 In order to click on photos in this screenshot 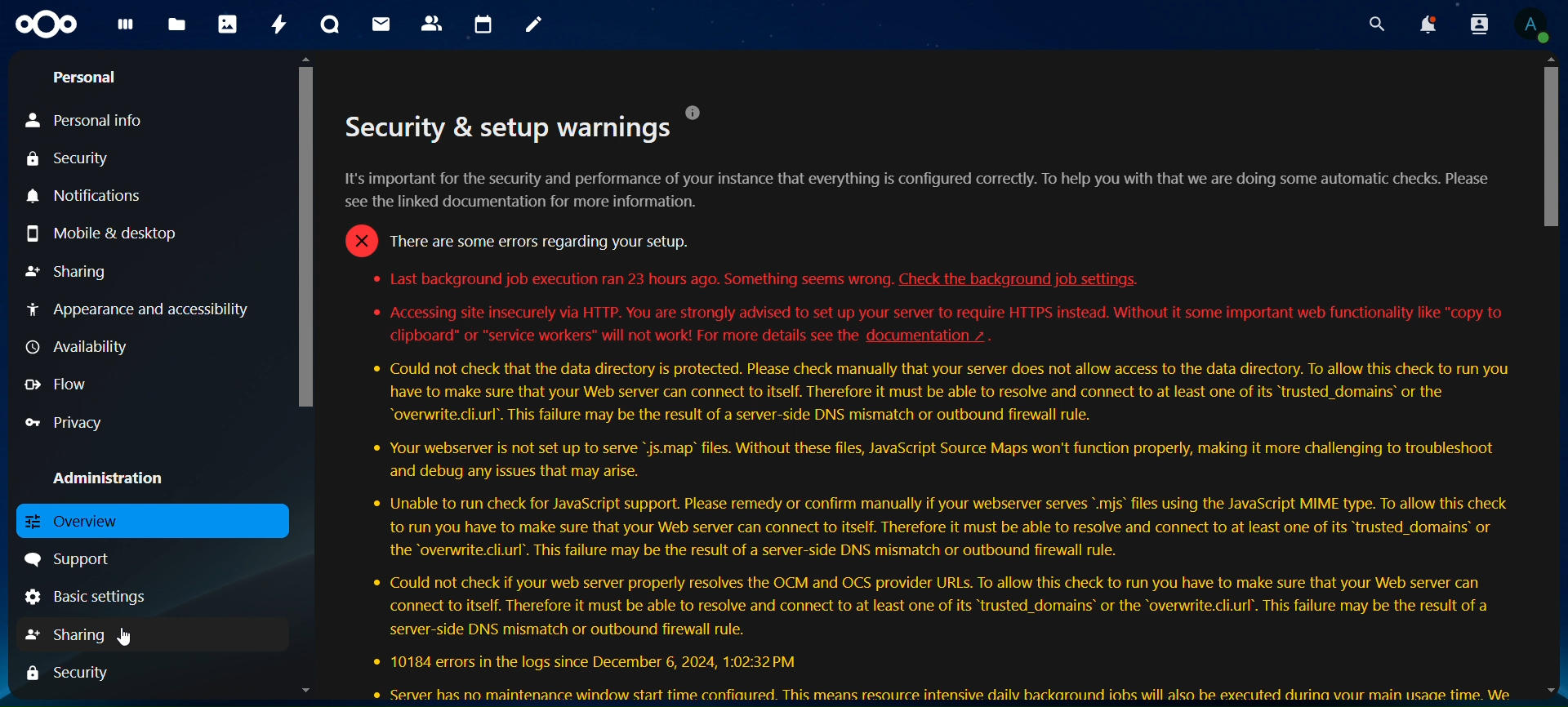, I will do `click(225, 23)`.